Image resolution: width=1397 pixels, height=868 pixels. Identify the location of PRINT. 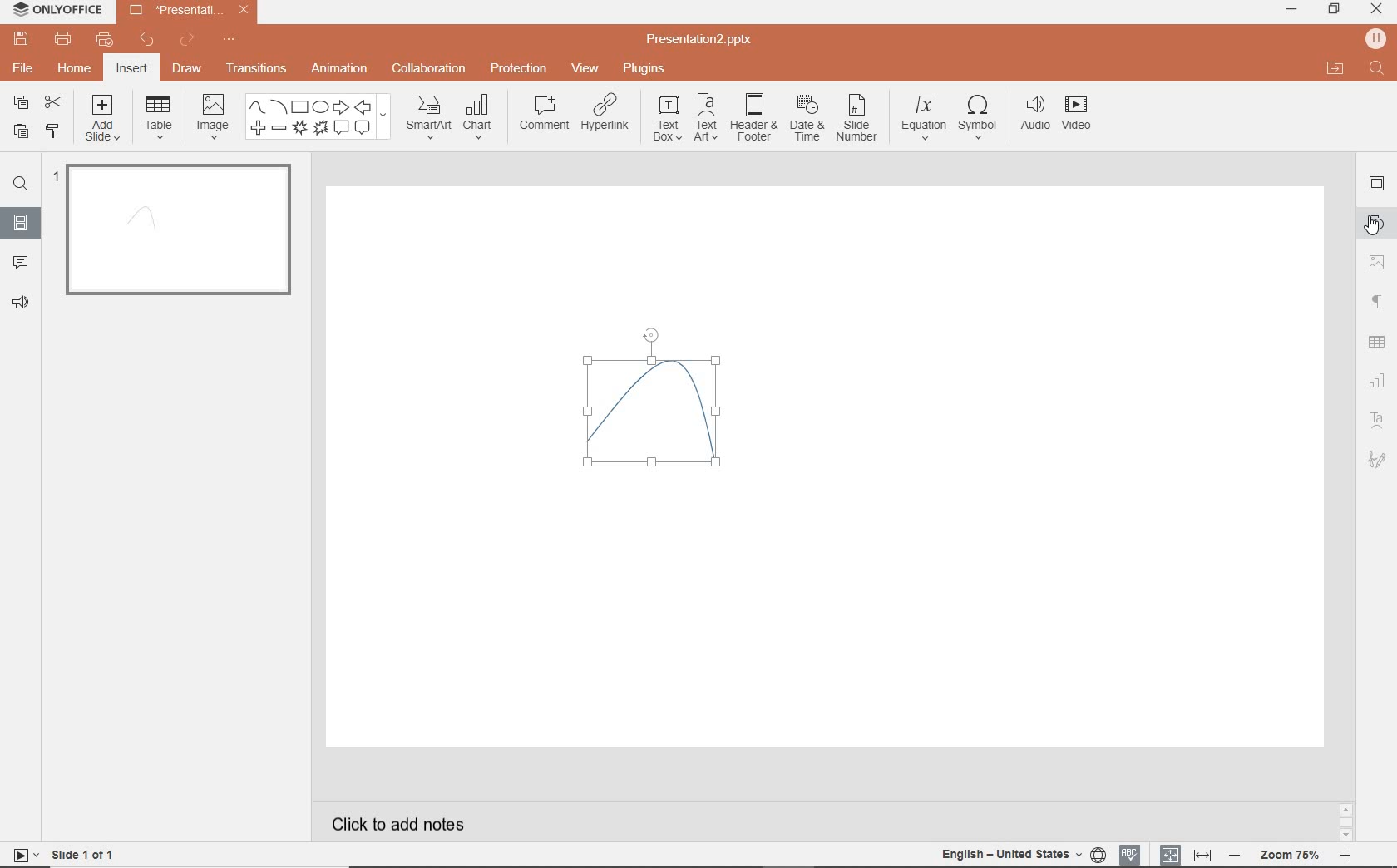
(62, 38).